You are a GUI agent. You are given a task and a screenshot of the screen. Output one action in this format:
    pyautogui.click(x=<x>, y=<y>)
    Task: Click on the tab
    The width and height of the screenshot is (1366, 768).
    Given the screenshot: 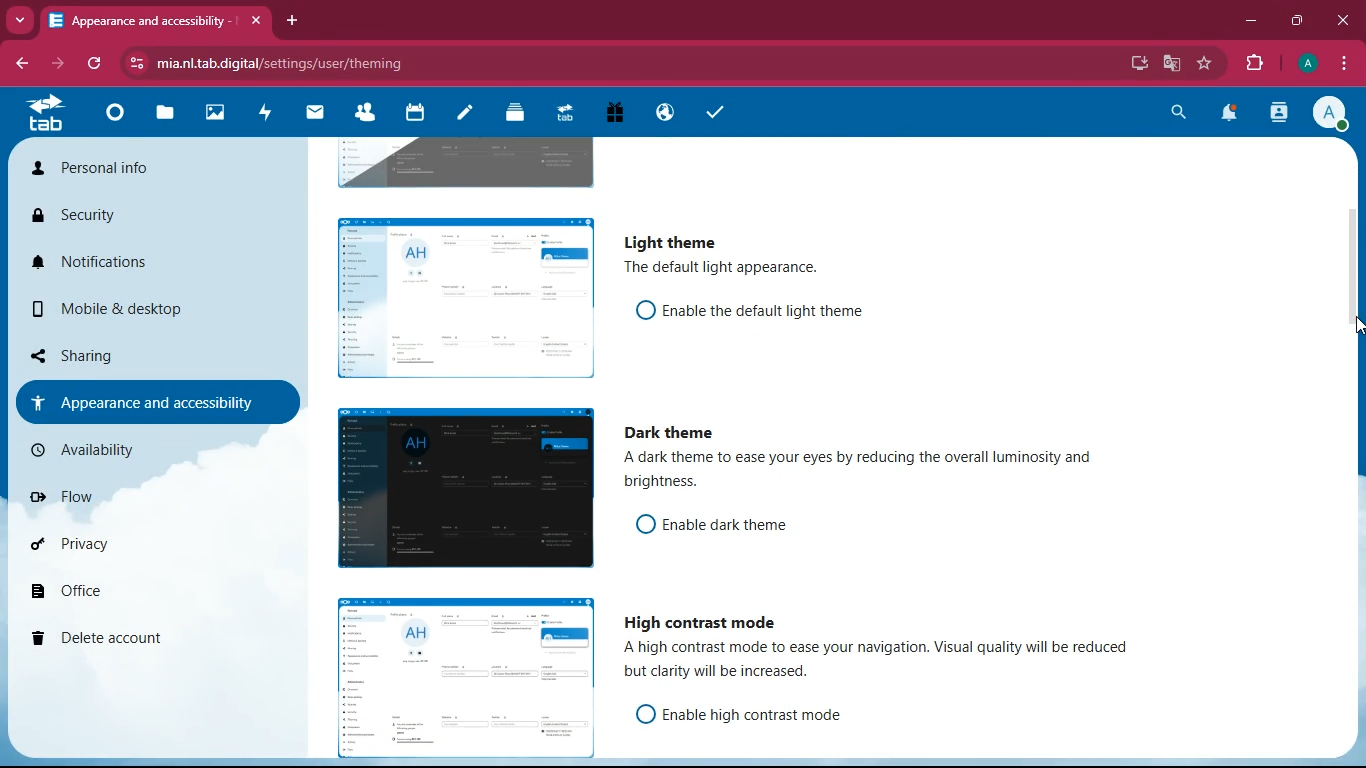 What is the action you would take?
    pyautogui.click(x=140, y=19)
    